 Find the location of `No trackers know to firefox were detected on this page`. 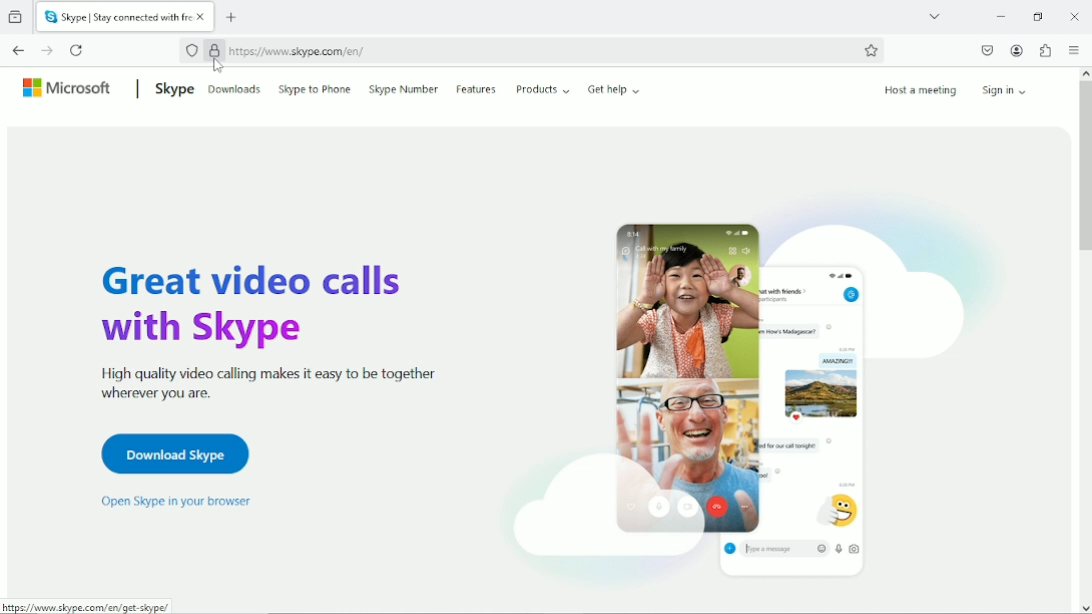

No trackers know to firefox were detected on this page is located at coordinates (192, 52).